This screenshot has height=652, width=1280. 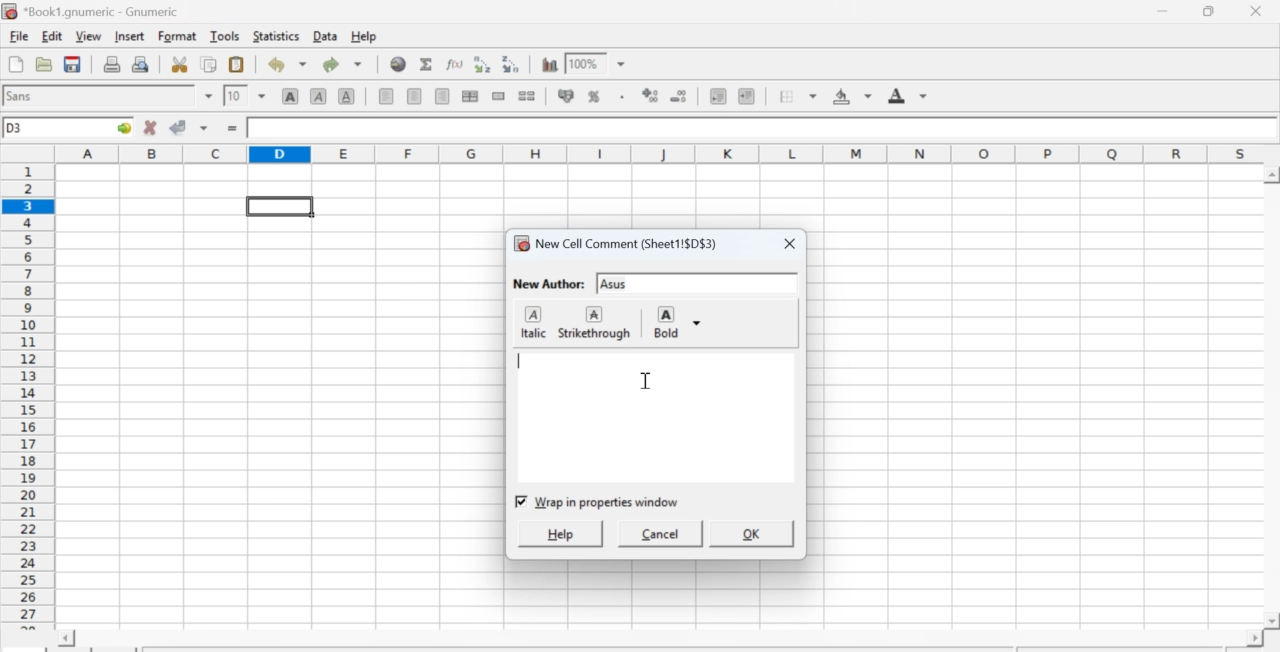 What do you see at coordinates (18, 37) in the screenshot?
I see `File` at bounding box center [18, 37].